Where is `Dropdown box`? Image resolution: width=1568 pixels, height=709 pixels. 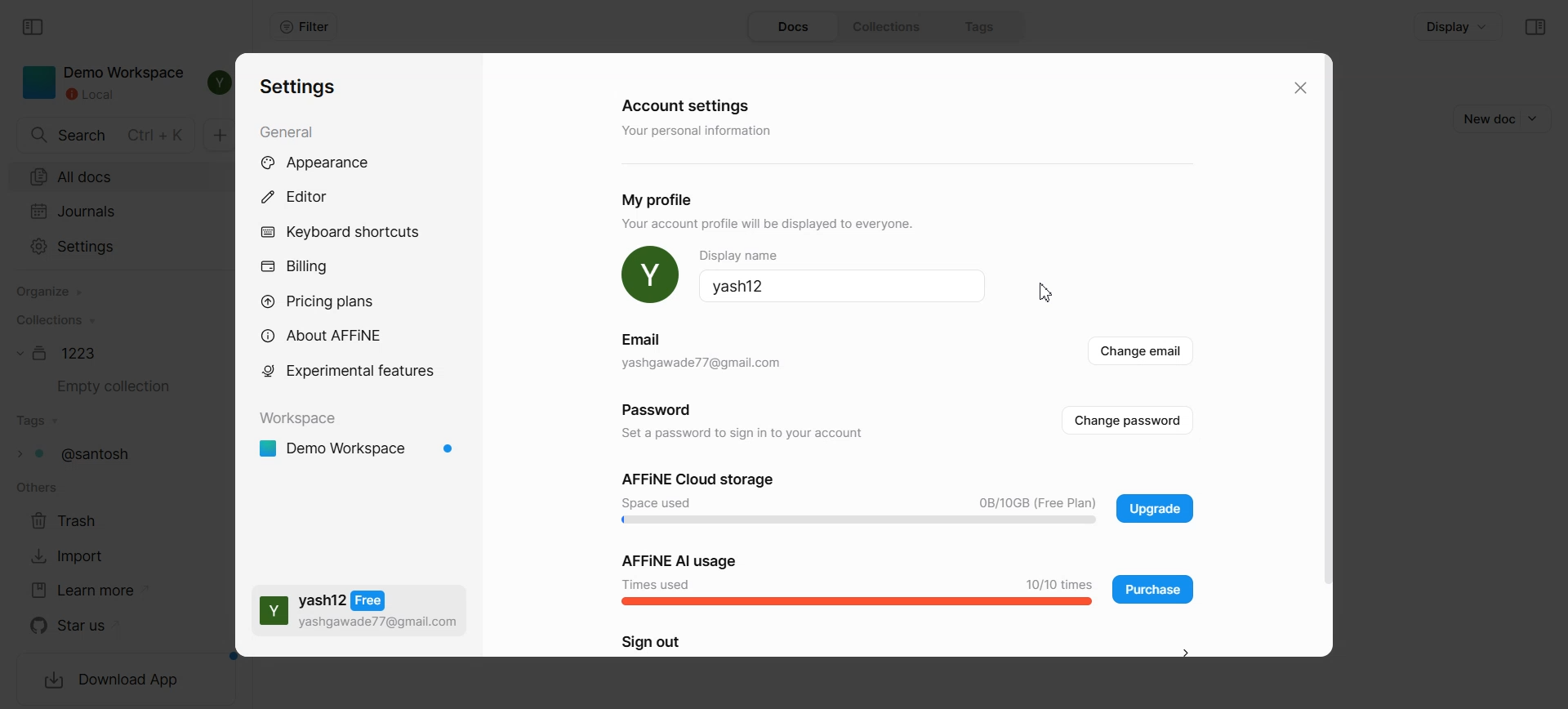
Dropdown box is located at coordinates (1539, 118).